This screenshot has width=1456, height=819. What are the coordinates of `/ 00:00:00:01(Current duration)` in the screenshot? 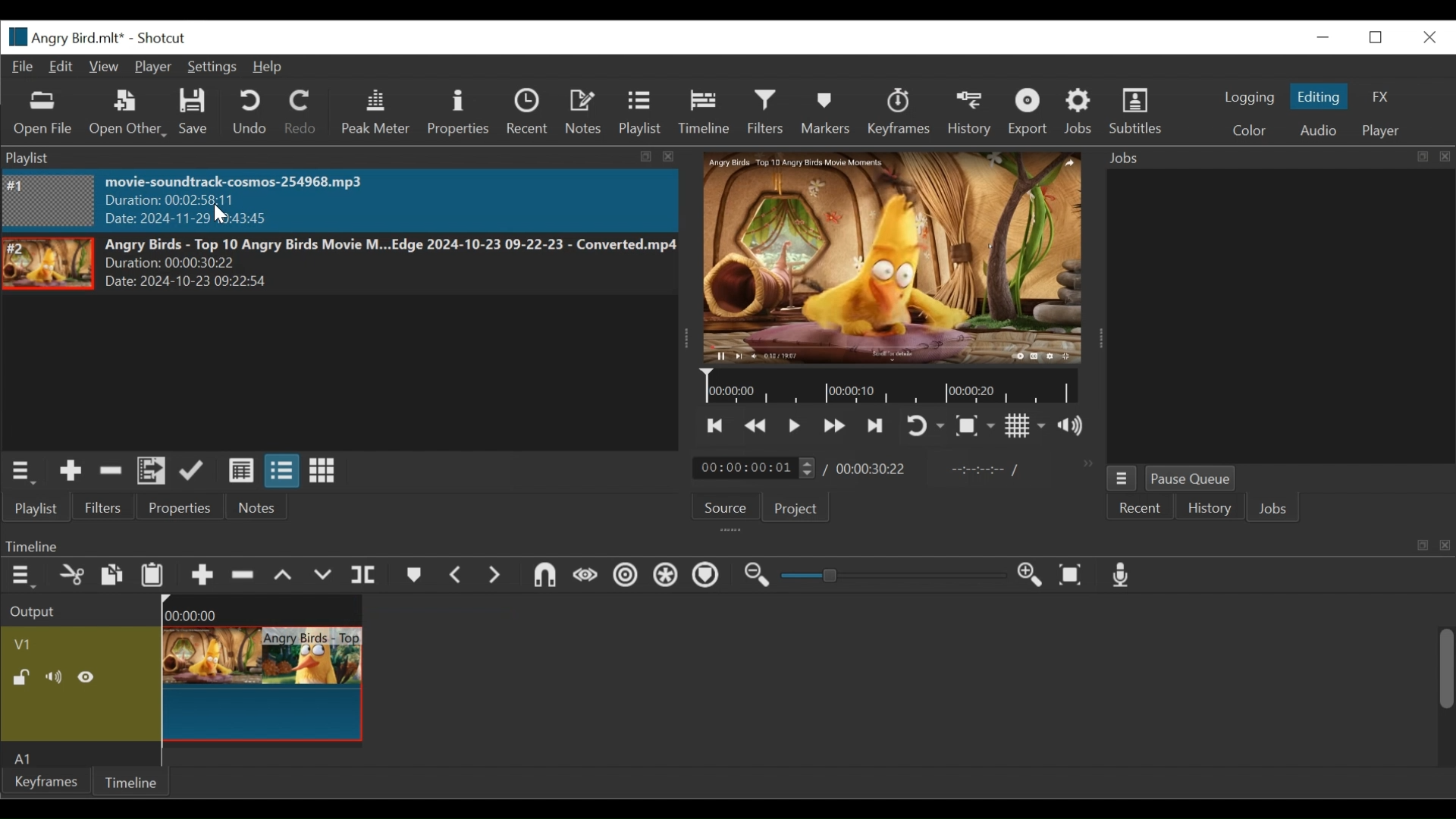 It's located at (748, 467).